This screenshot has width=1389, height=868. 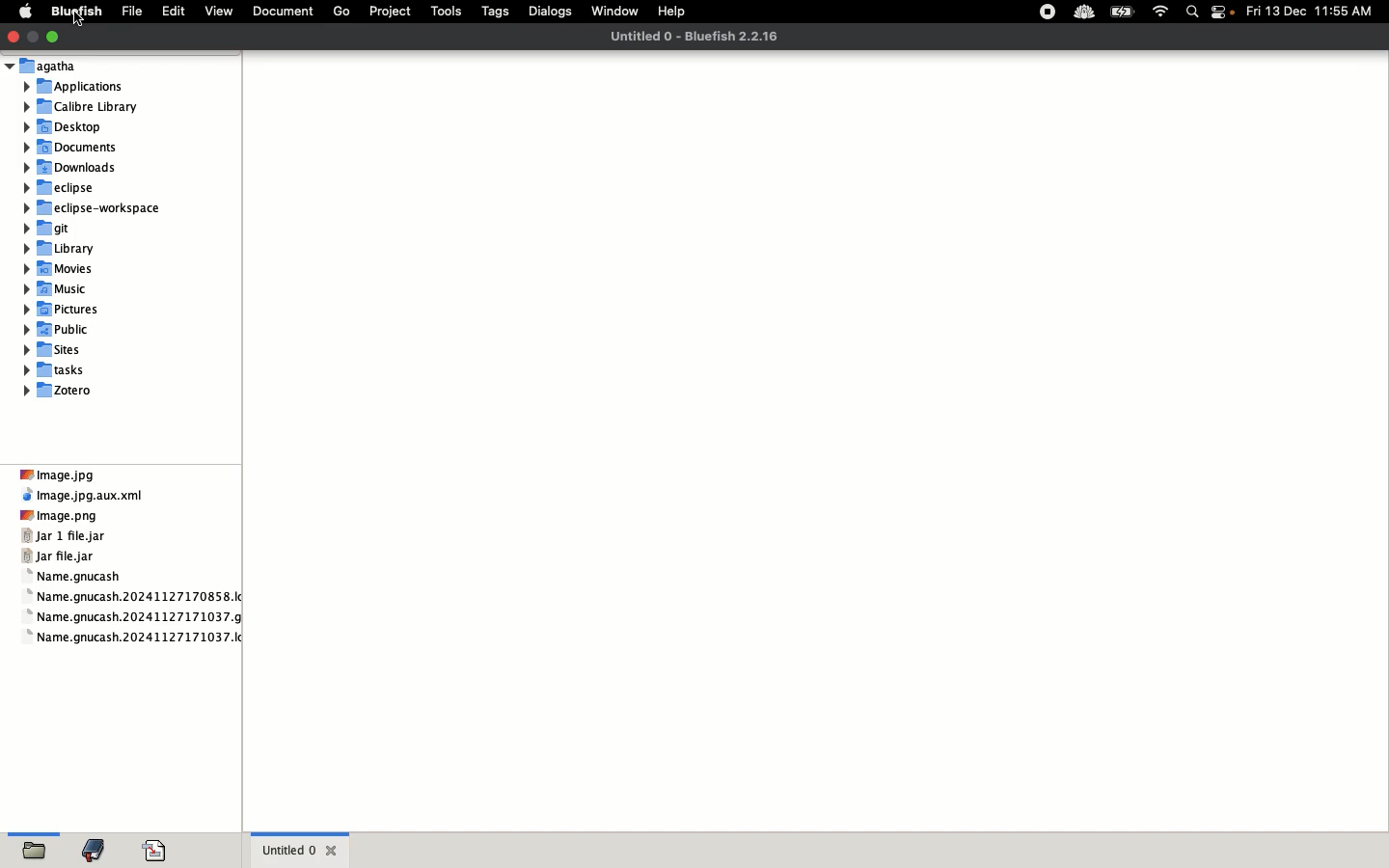 What do you see at coordinates (698, 36) in the screenshot?
I see `untitled` at bounding box center [698, 36].